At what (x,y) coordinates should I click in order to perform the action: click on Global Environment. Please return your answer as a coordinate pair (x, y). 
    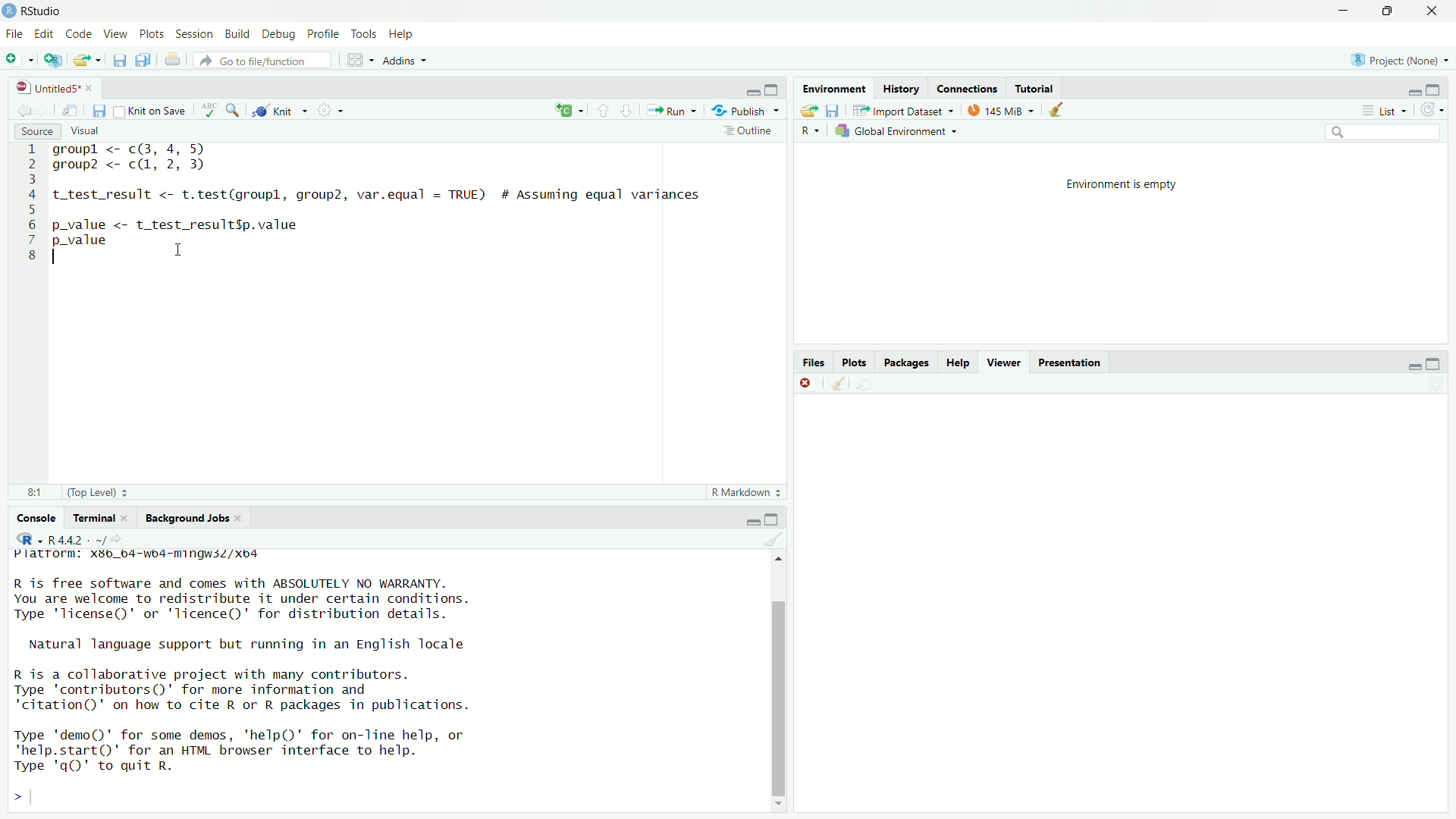
    Looking at the image, I should click on (898, 131).